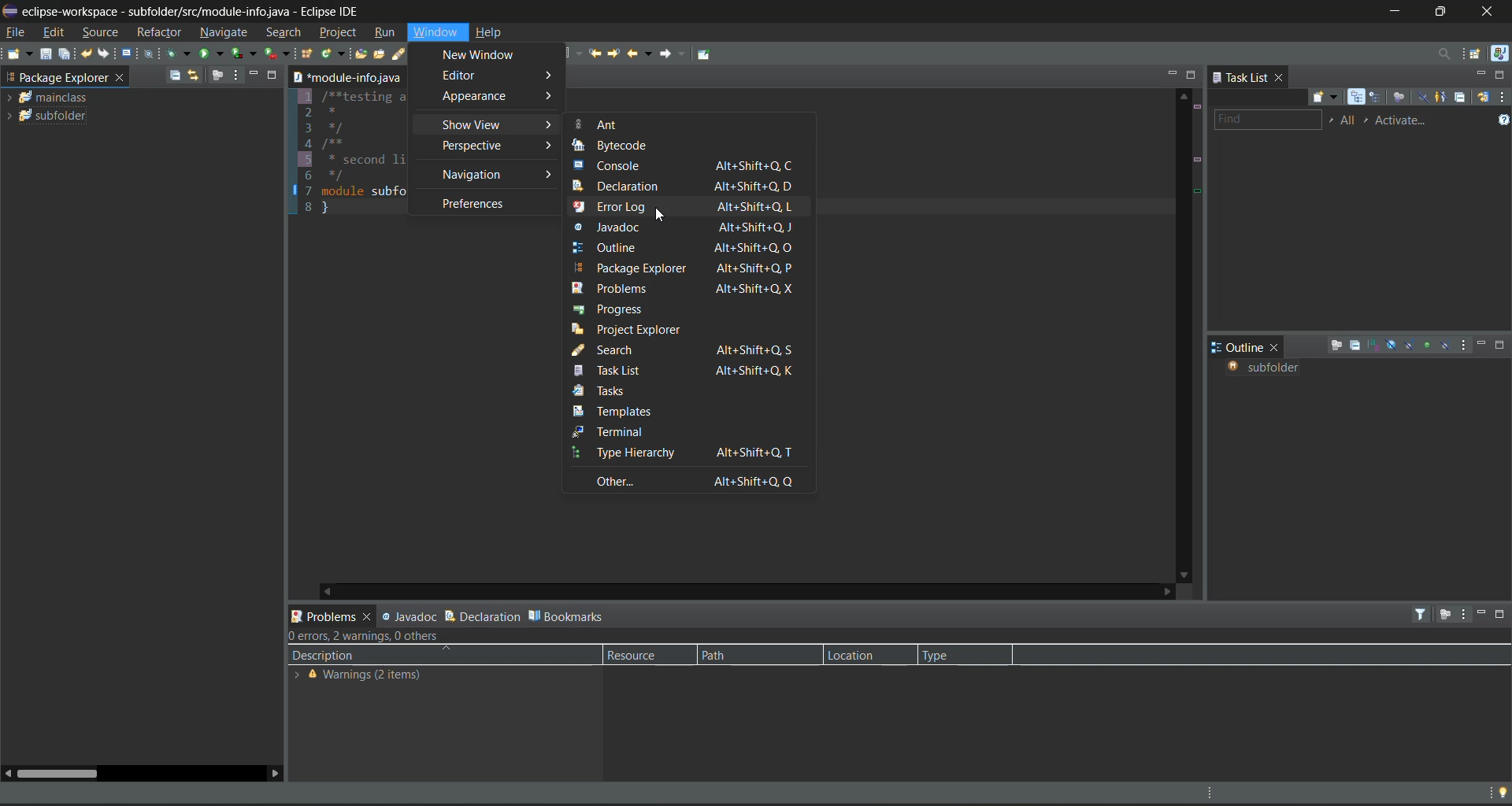  I want to click on help, so click(493, 31).